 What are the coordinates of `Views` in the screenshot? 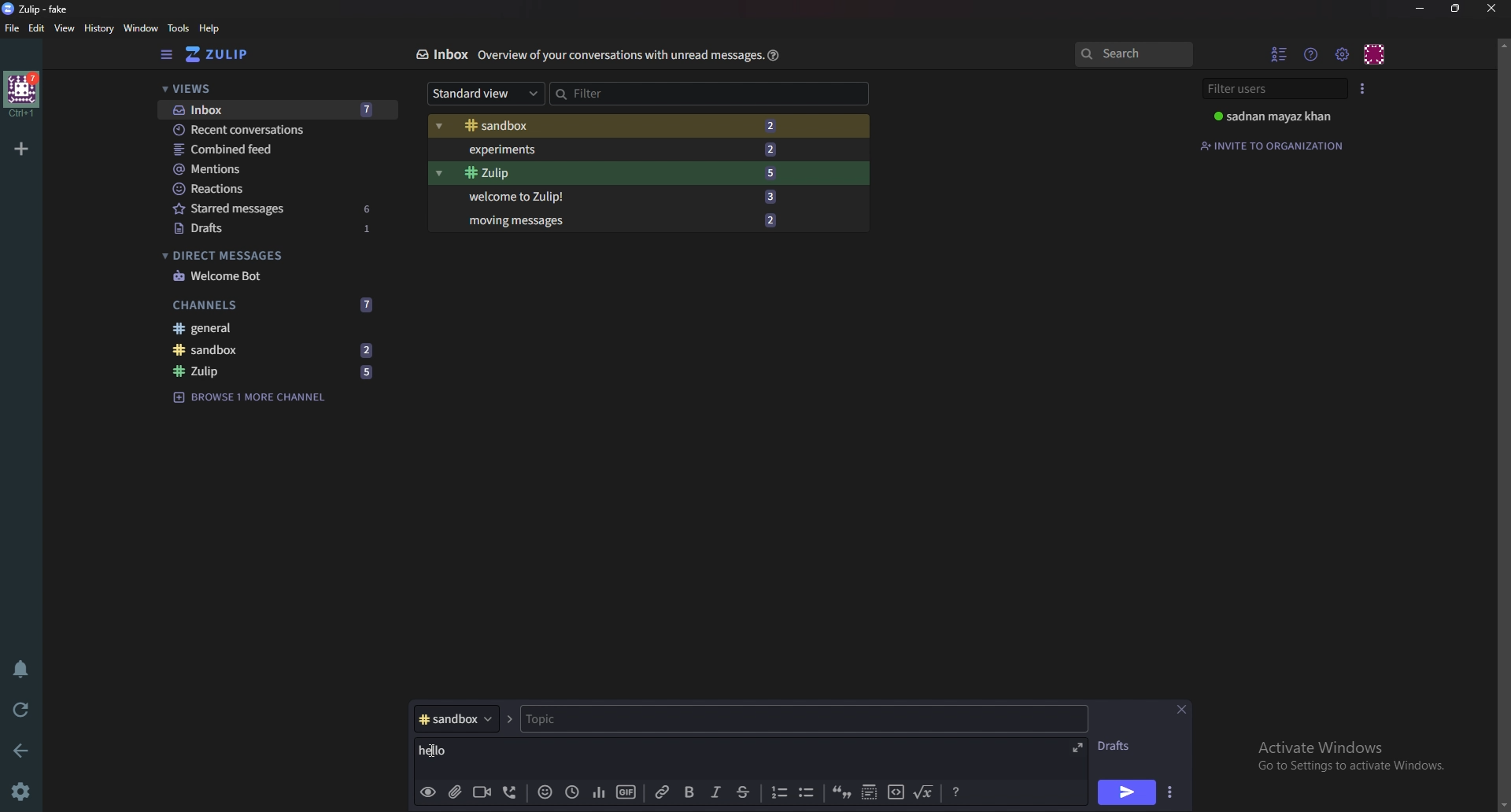 It's located at (275, 90).